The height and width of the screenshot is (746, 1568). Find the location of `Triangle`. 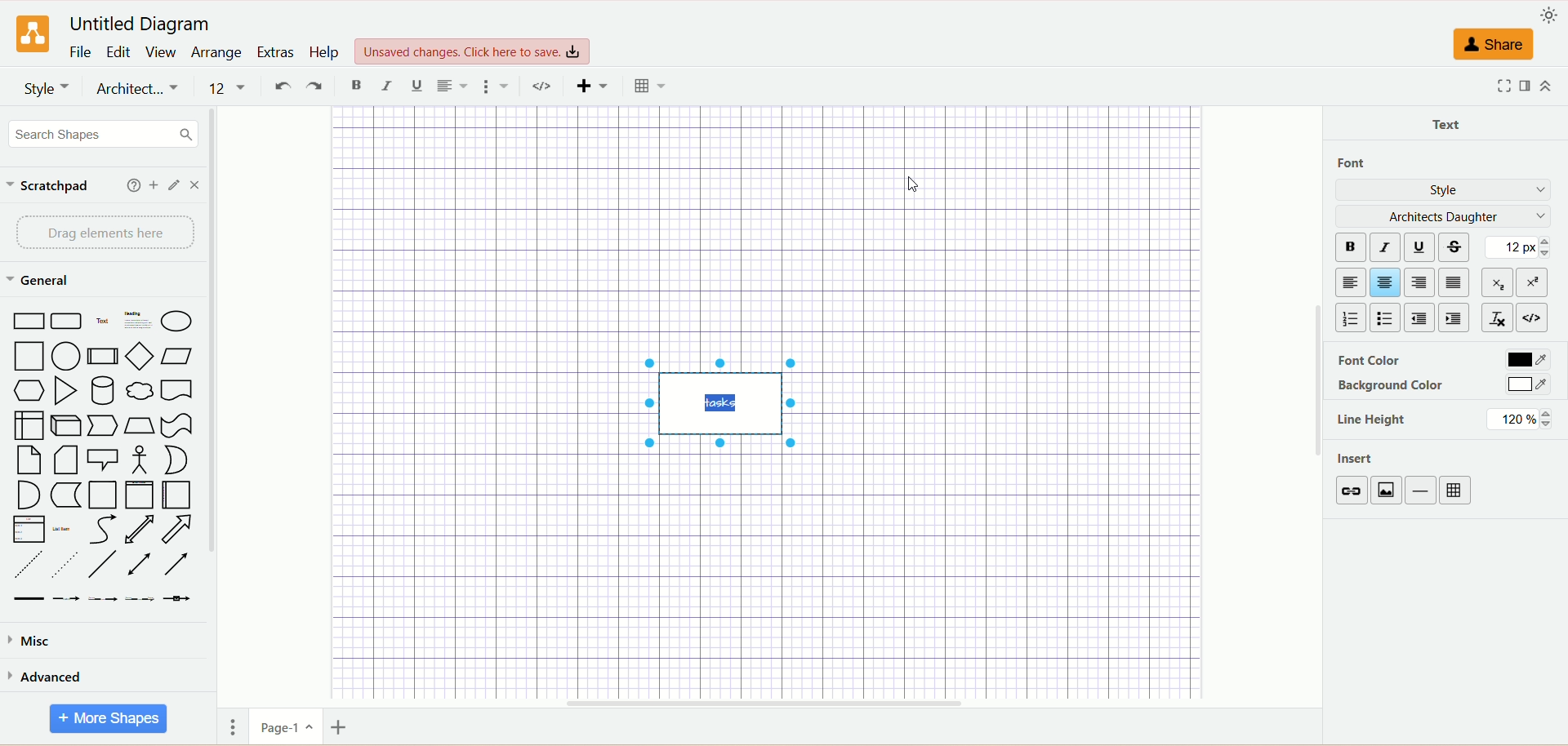

Triangle is located at coordinates (65, 391).